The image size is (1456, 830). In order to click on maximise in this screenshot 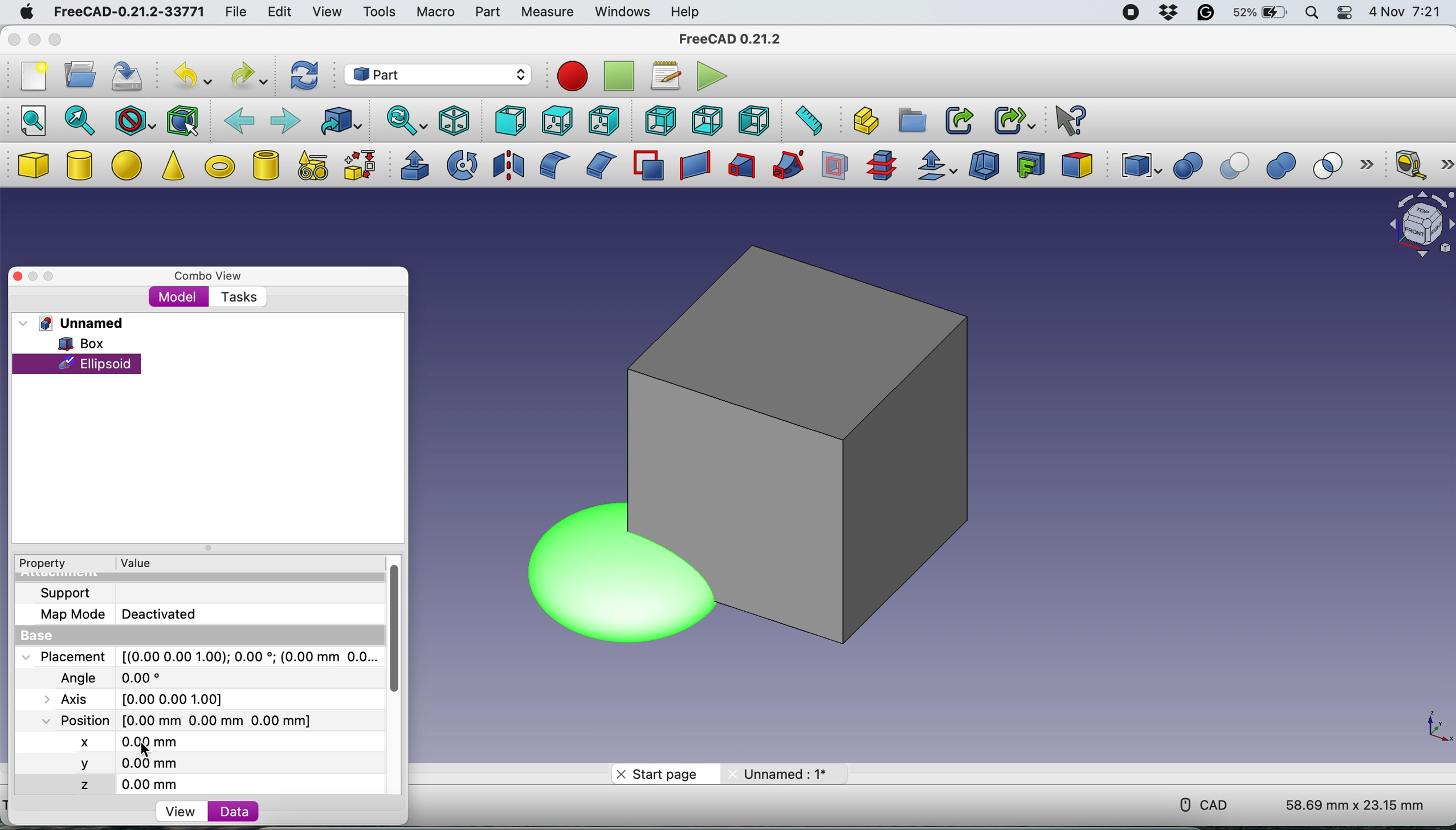, I will do `click(60, 274)`.